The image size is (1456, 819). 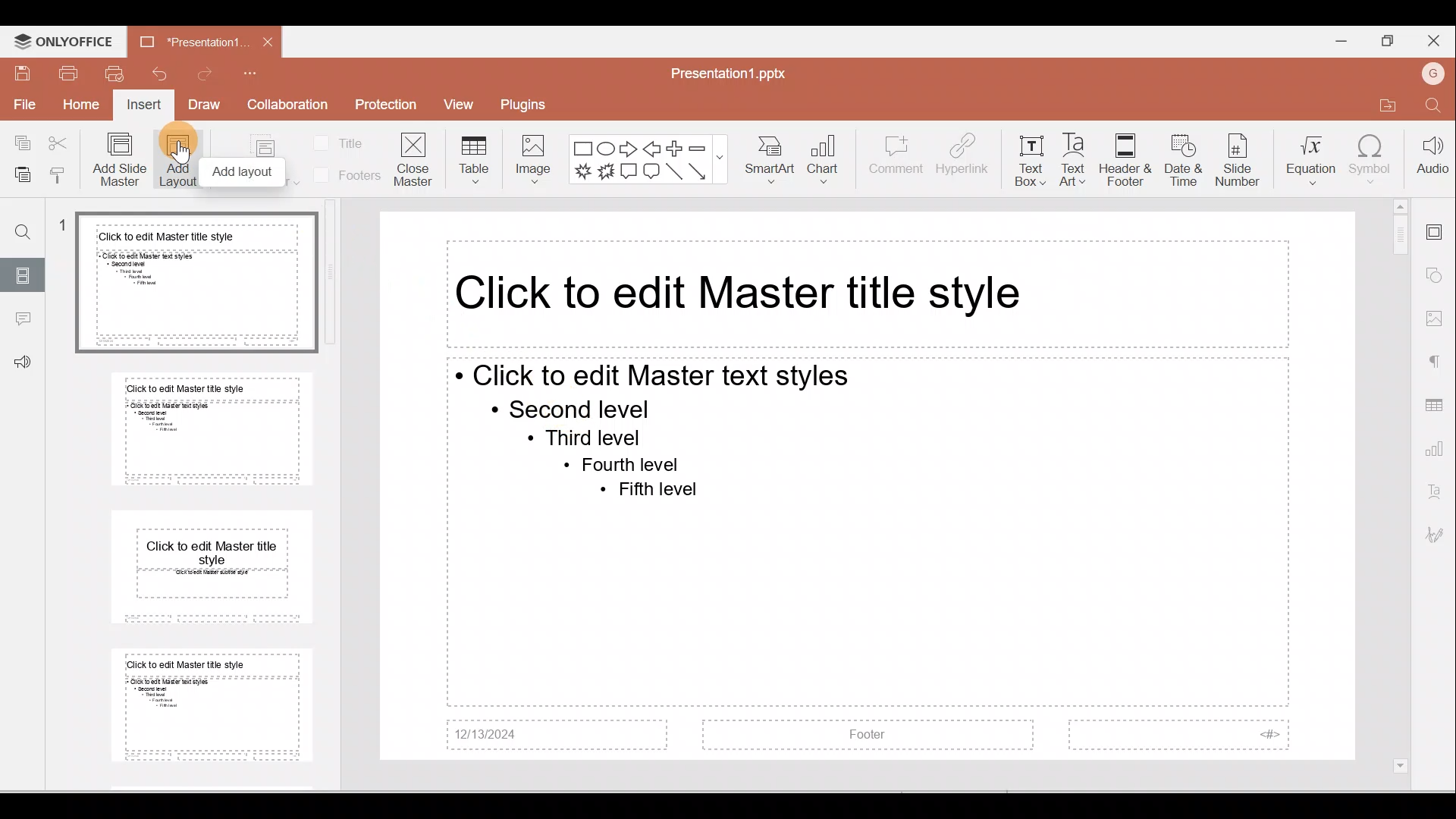 I want to click on Text box, so click(x=1028, y=165).